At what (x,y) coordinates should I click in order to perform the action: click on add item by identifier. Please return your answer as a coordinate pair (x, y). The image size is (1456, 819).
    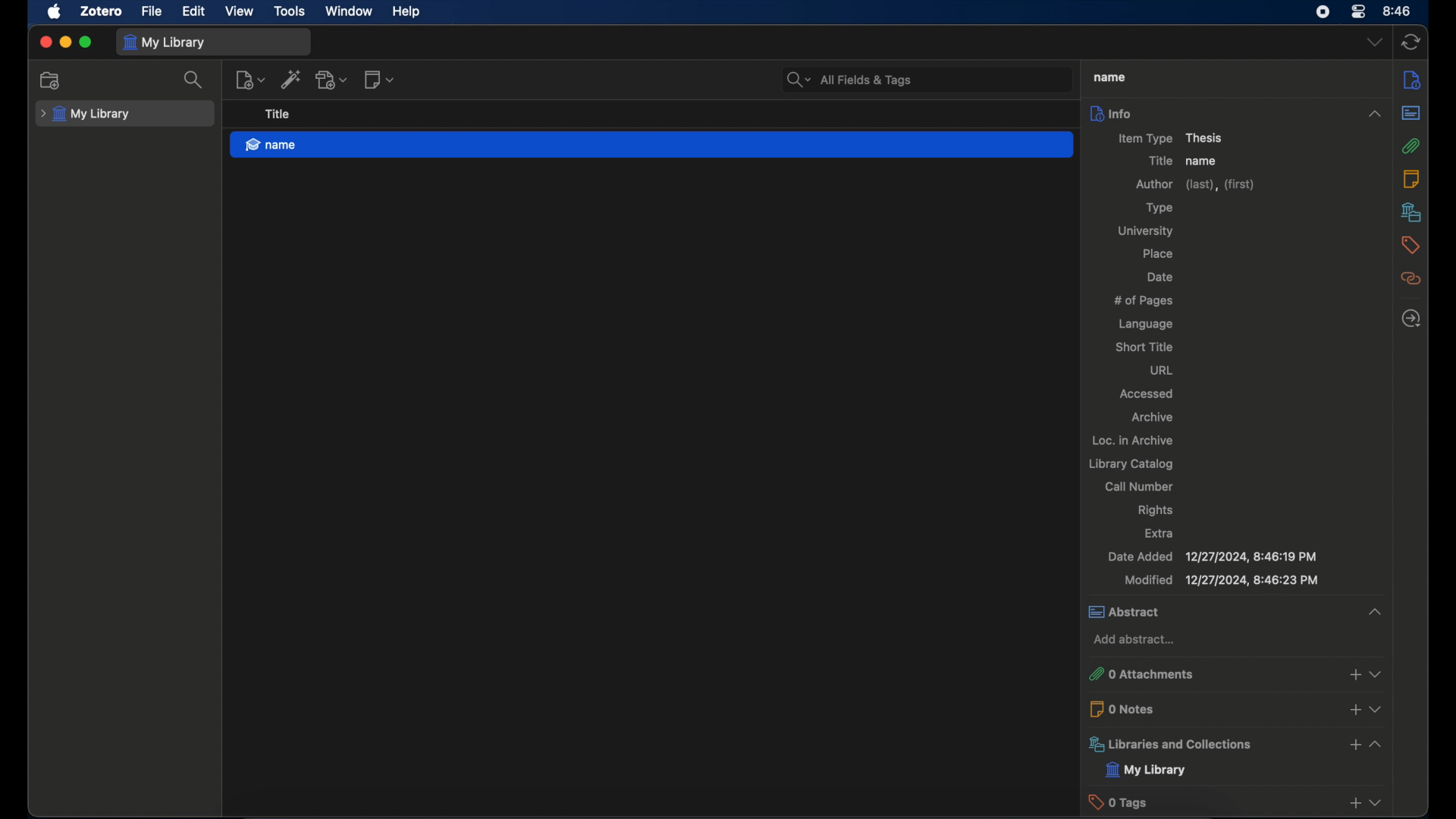
    Looking at the image, I should click on (293, 80).